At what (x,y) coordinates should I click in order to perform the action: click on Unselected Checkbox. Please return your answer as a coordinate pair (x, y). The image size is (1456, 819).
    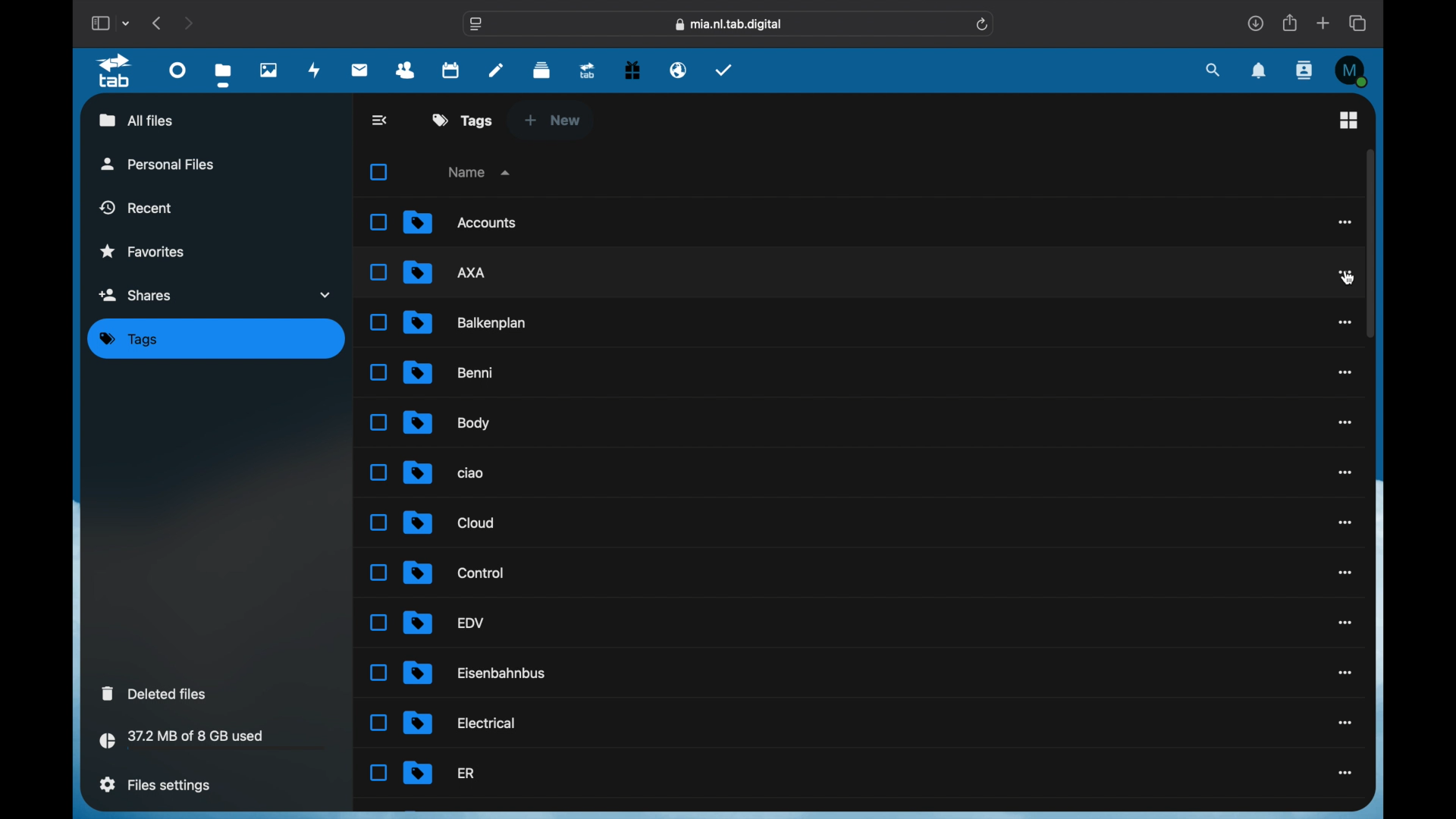
    Looking at the image, I should click on (379, 221).